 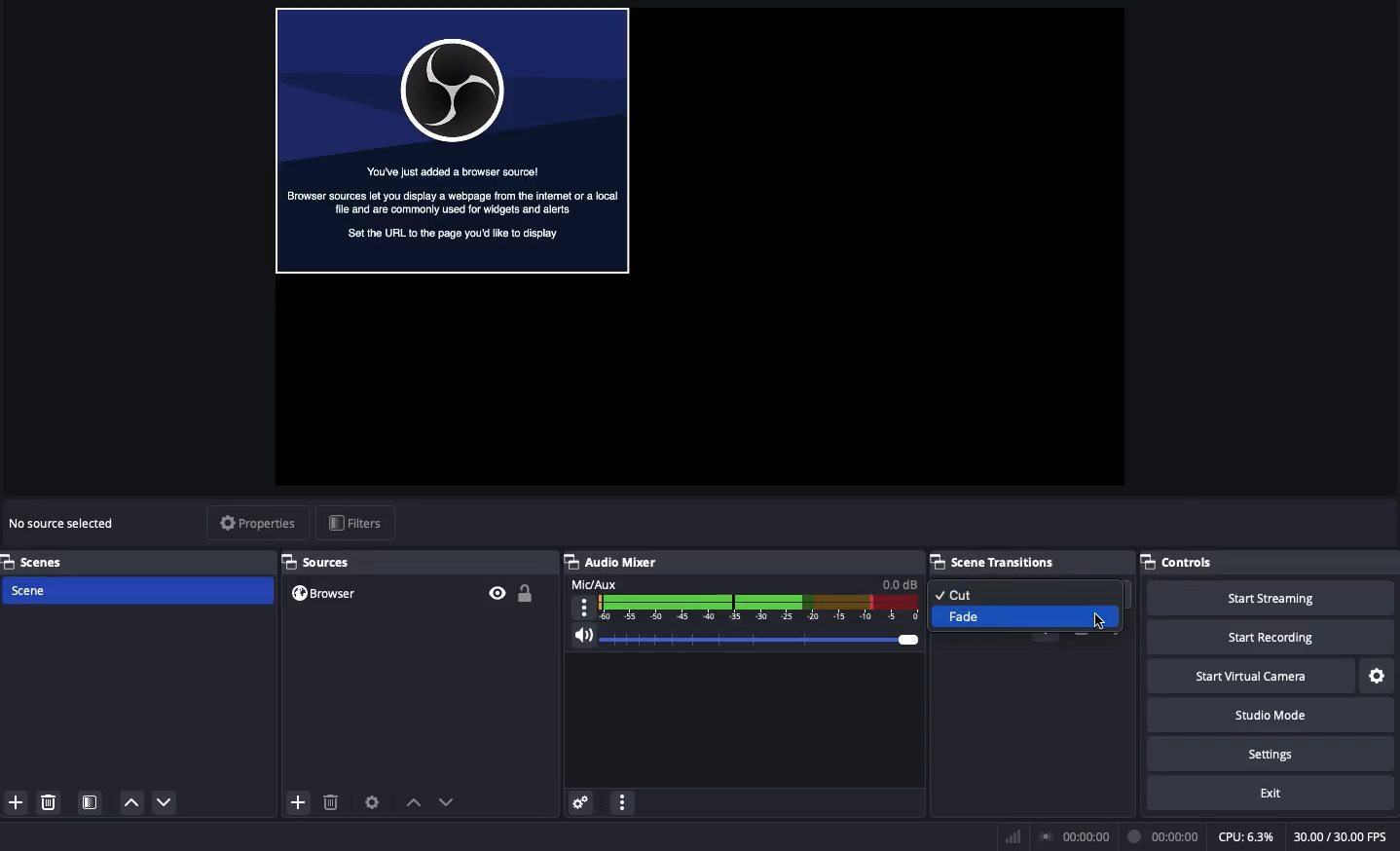 What do you see at coordinates (1243, 836) in the screenshot?
I see `CPU` at bounding box center [1243, 836].